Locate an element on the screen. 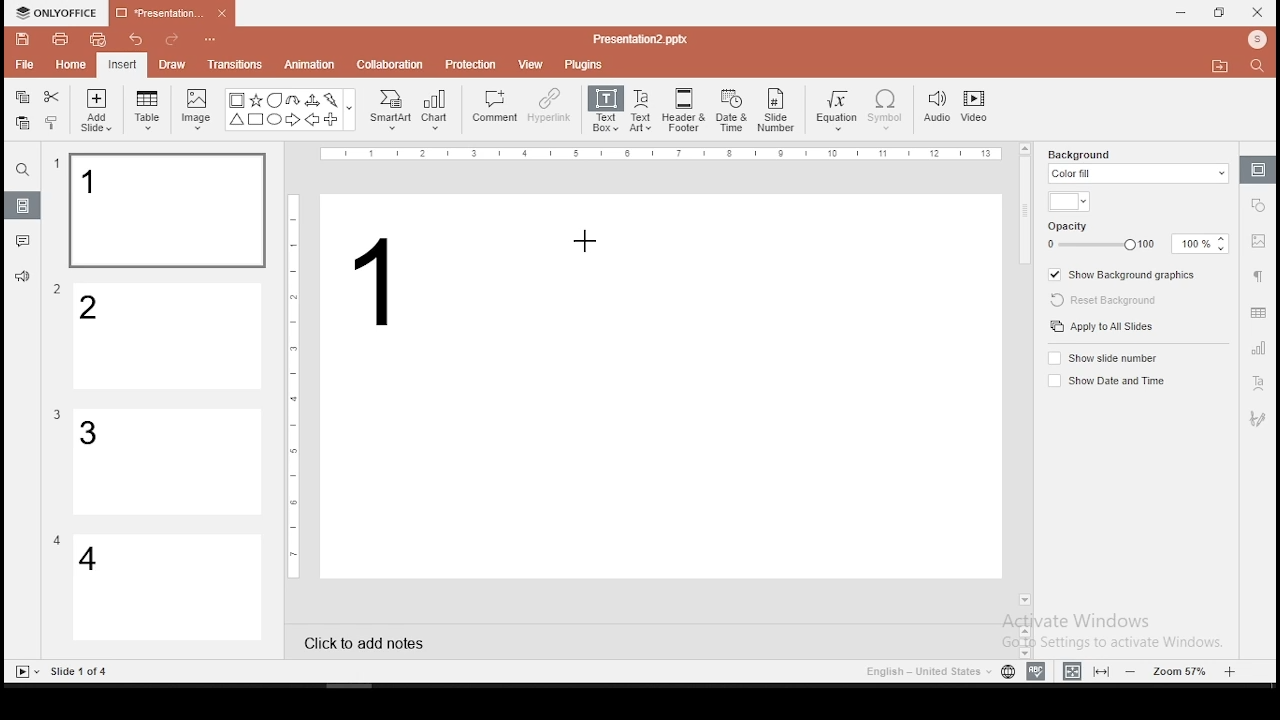 The image size is (1280, 720). slide 1 is located at coordinates (166, 211).